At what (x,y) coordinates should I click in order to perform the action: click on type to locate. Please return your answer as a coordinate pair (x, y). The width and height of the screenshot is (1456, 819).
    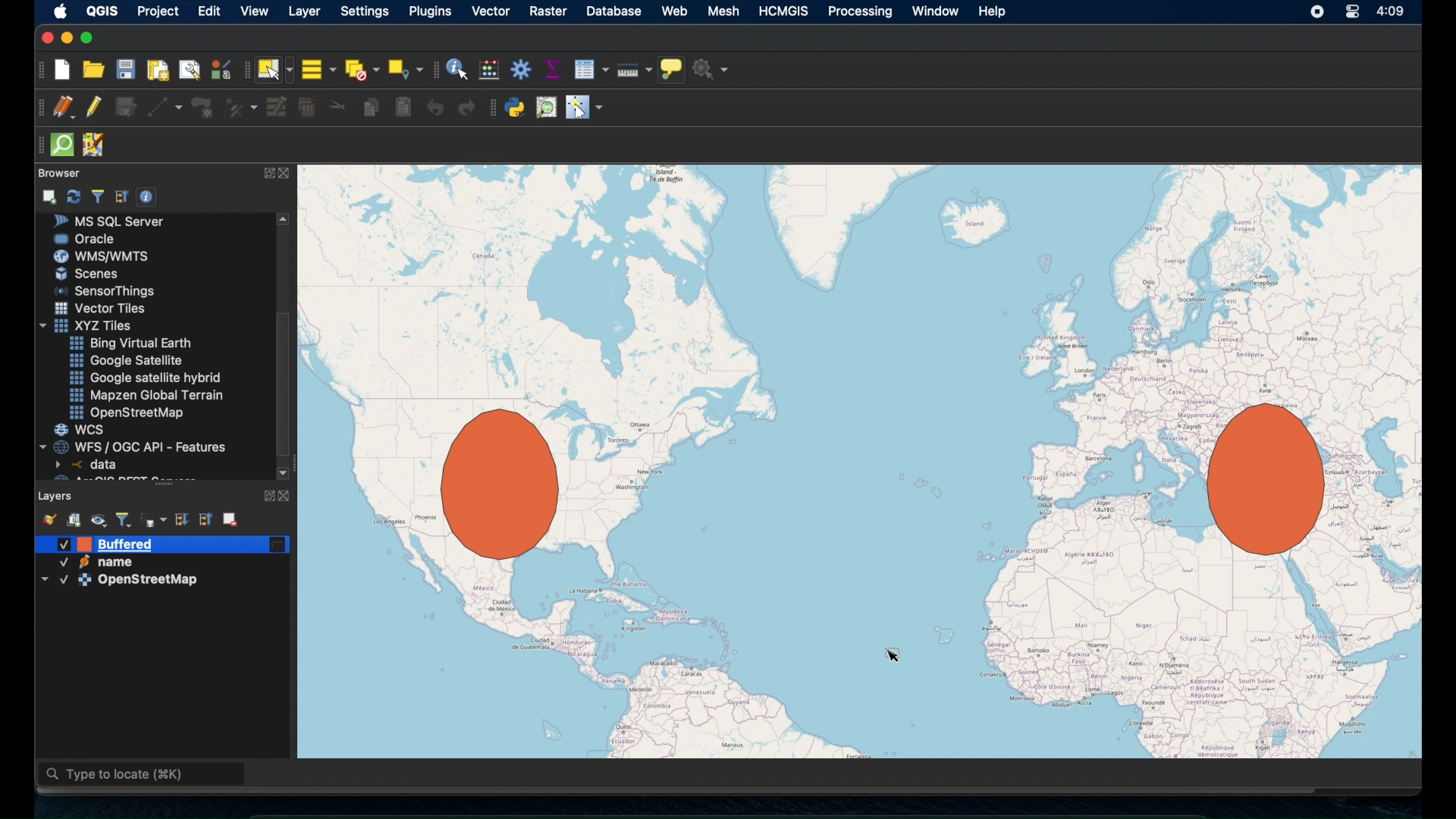
    Looking at the image, I should click on (143, 776).